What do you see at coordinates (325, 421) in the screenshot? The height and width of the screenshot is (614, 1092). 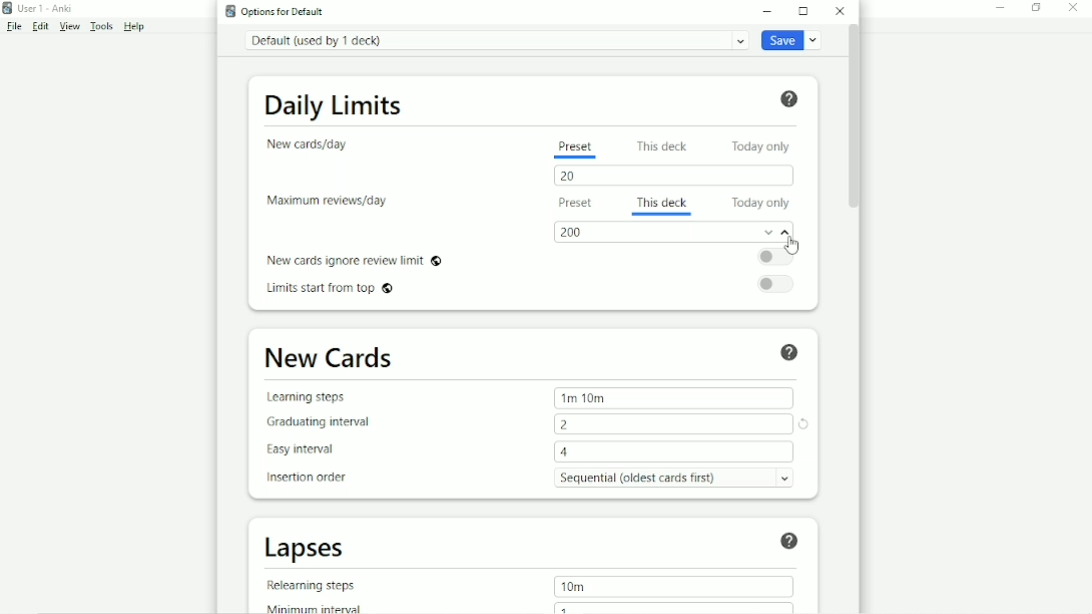 I see `Graduating interval` at bounding box center [325, 421].